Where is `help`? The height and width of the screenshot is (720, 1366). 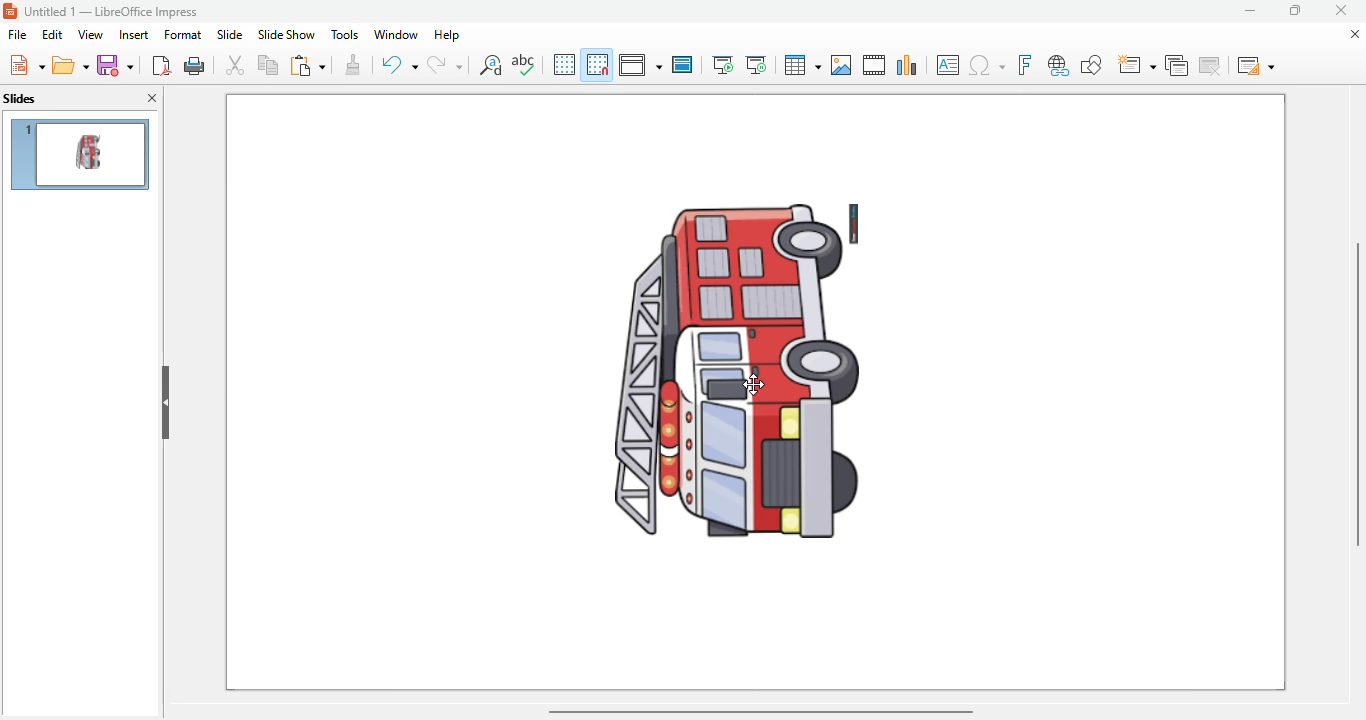 help is located at coordinates (447, 34).